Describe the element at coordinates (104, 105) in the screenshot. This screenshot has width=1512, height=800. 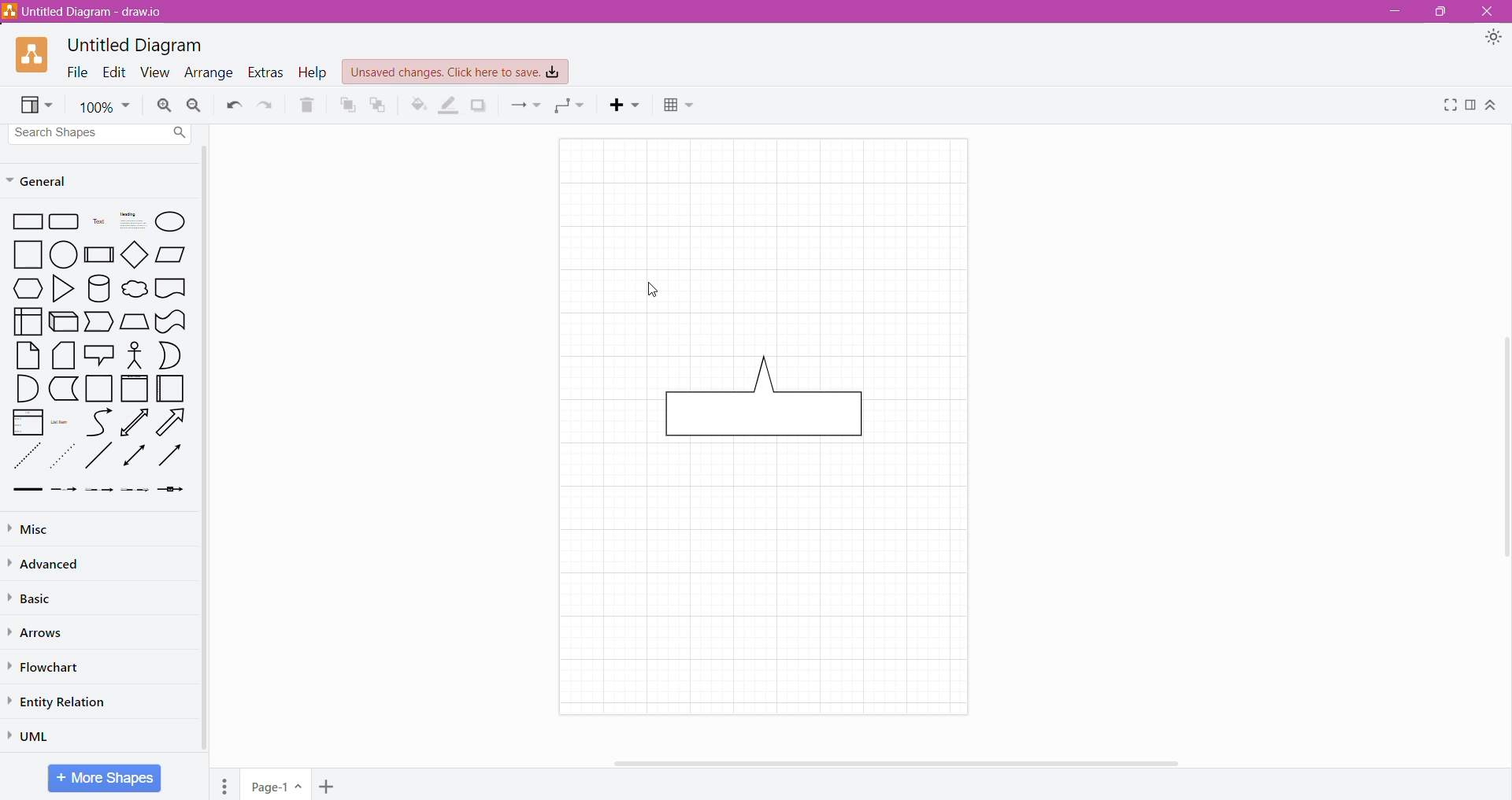
I see `Zoom` at that location.